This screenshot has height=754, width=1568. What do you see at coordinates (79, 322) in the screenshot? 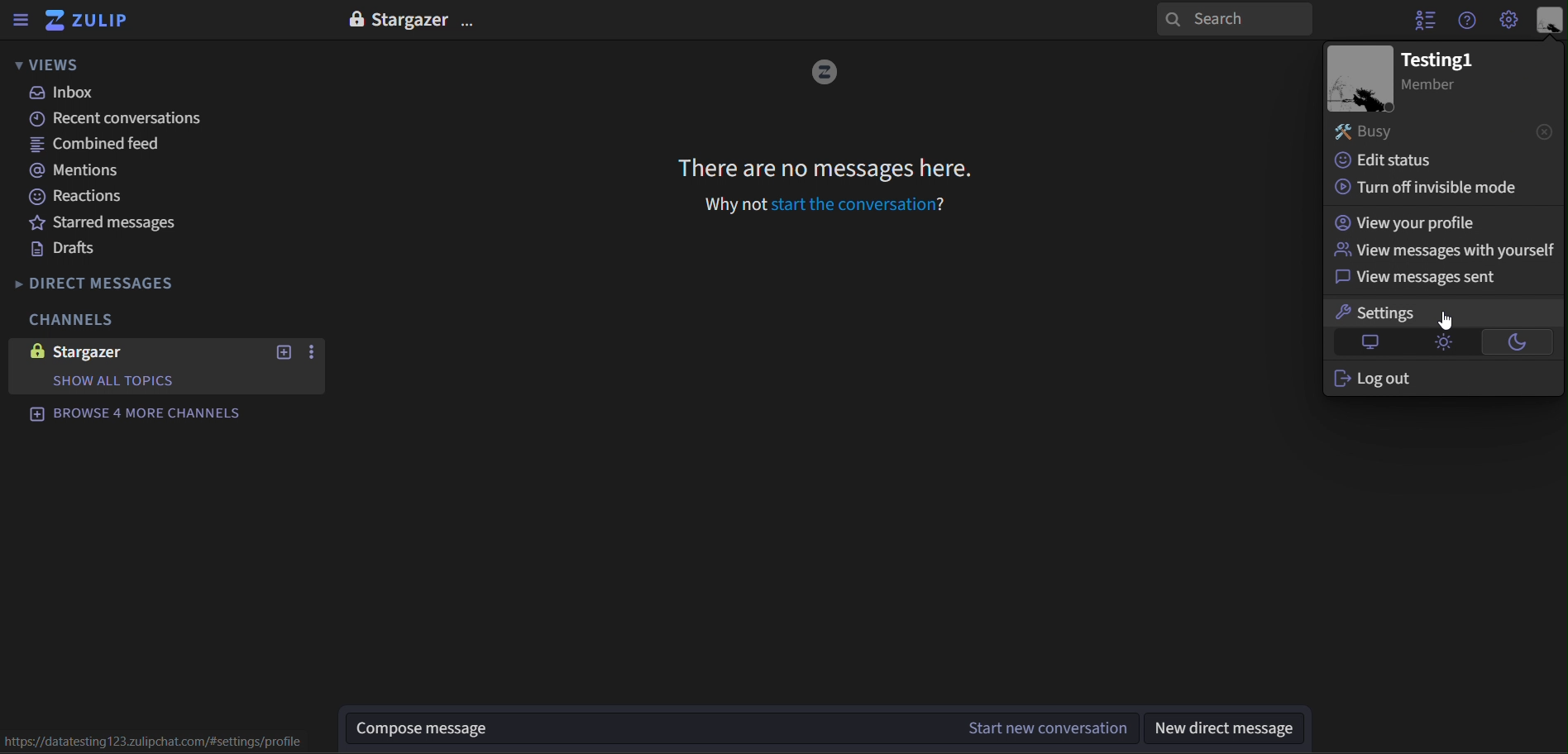
I see `channels` at bounding box center [79, 322].